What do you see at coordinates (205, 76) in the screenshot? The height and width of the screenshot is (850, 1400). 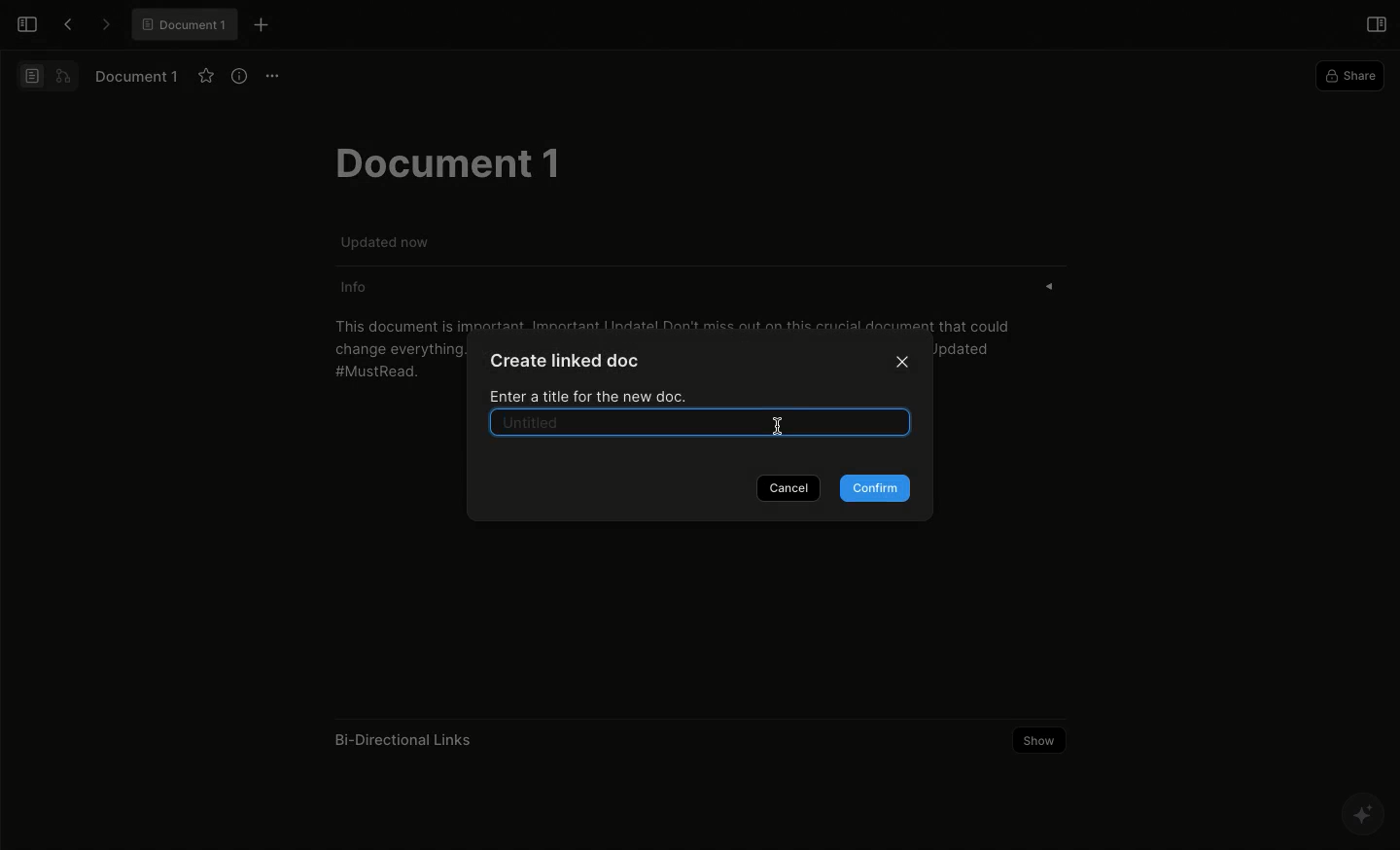 I see `Favourite` at bounding box center [205, 76].